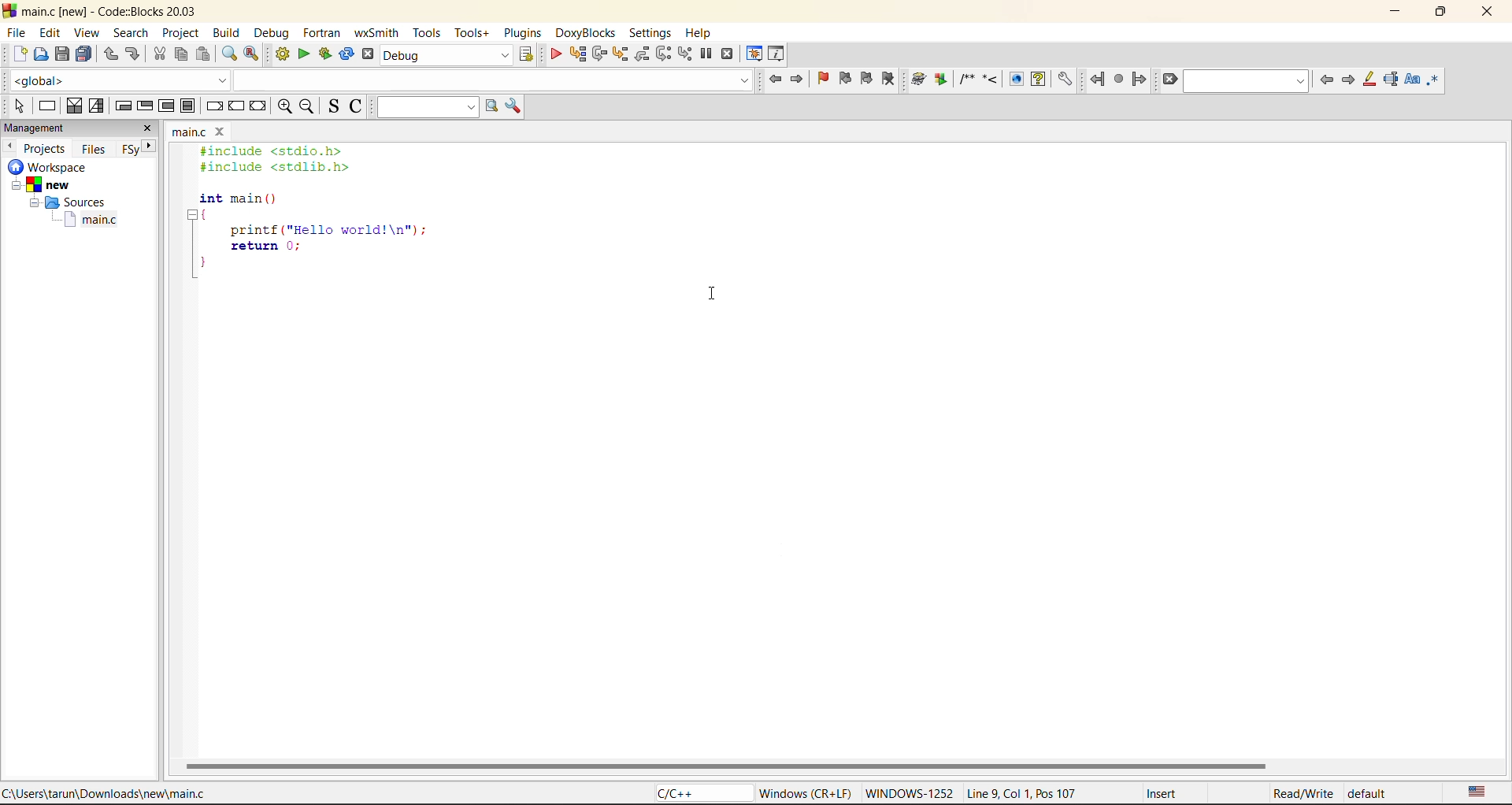 This screenshot has width=1512, height=805. What do you see at coordinates (428, 107) in the screenshot?
I see `text to search` at bounding box center [428, 107].